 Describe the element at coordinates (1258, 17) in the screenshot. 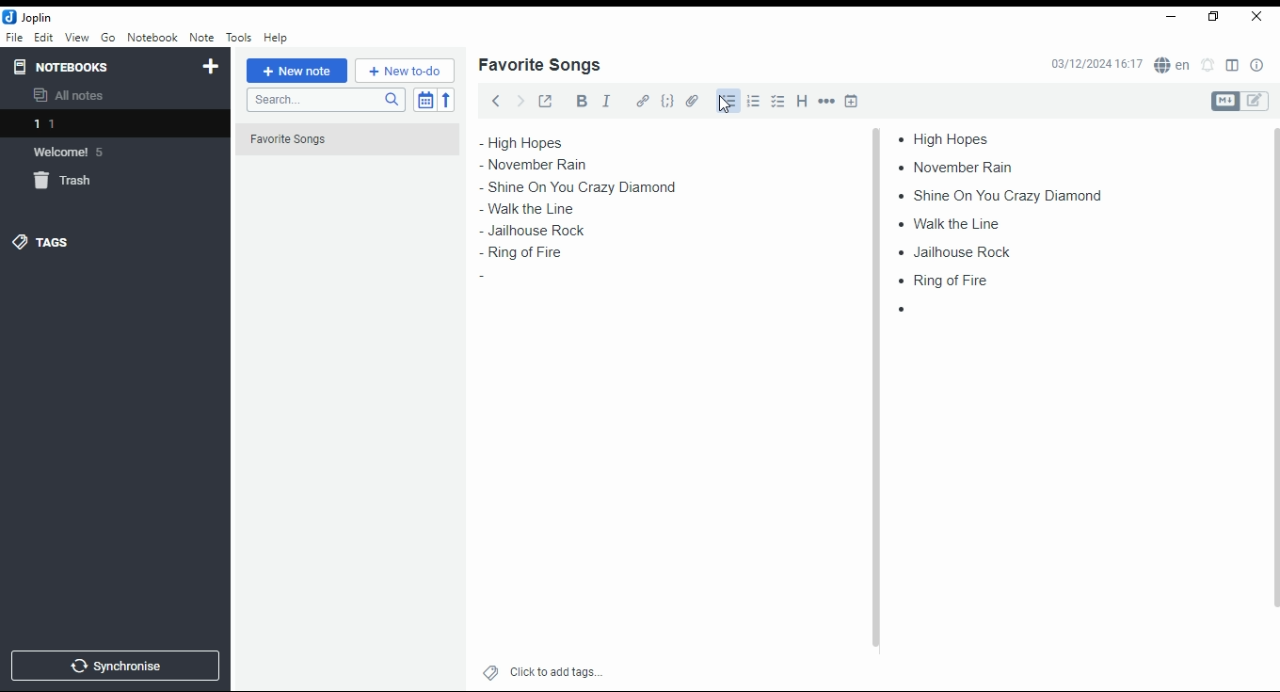

I see `close window` at that location.